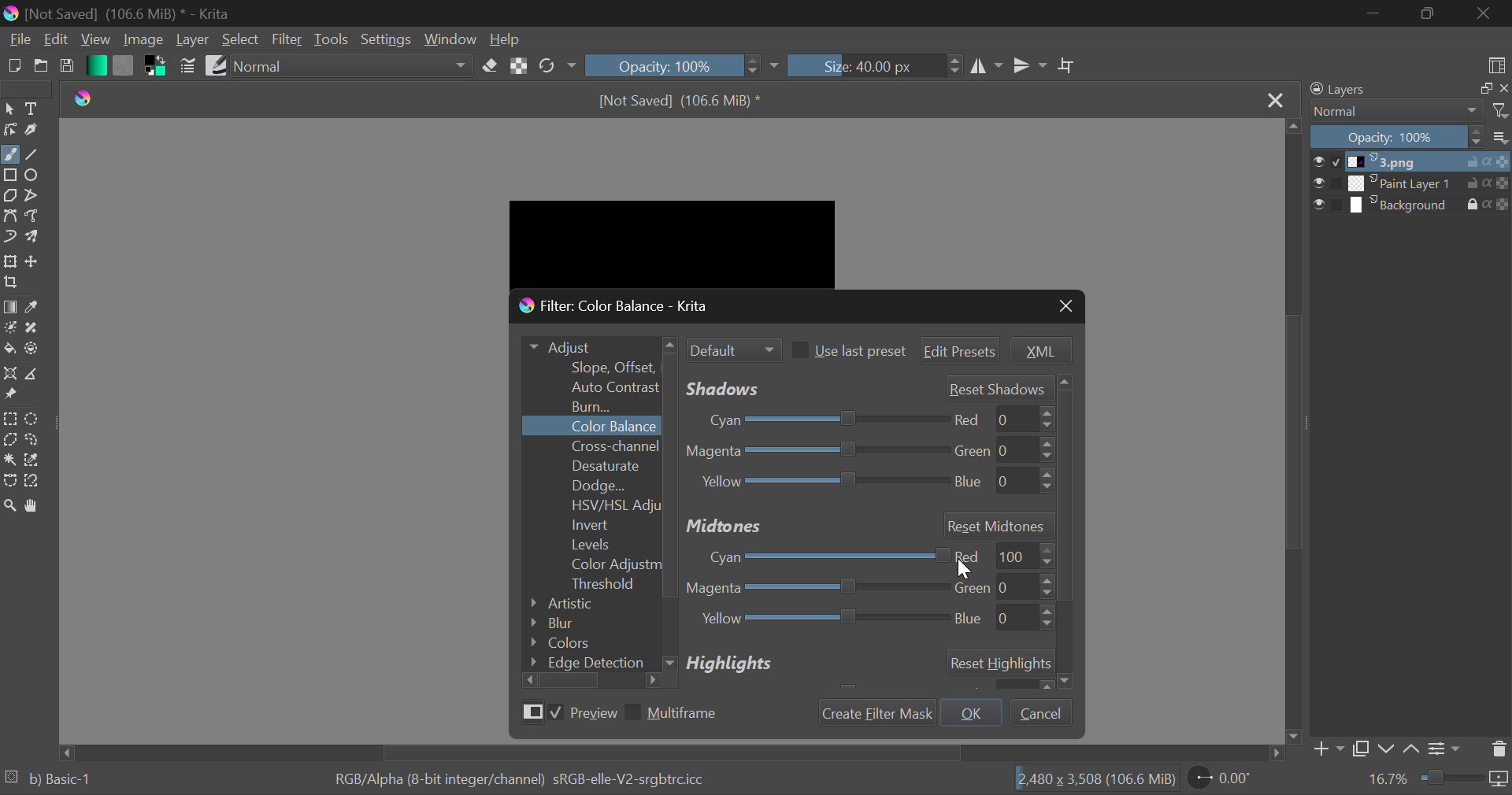 The image size is (1512, 795). I want to click on options, so click(1499, 137).